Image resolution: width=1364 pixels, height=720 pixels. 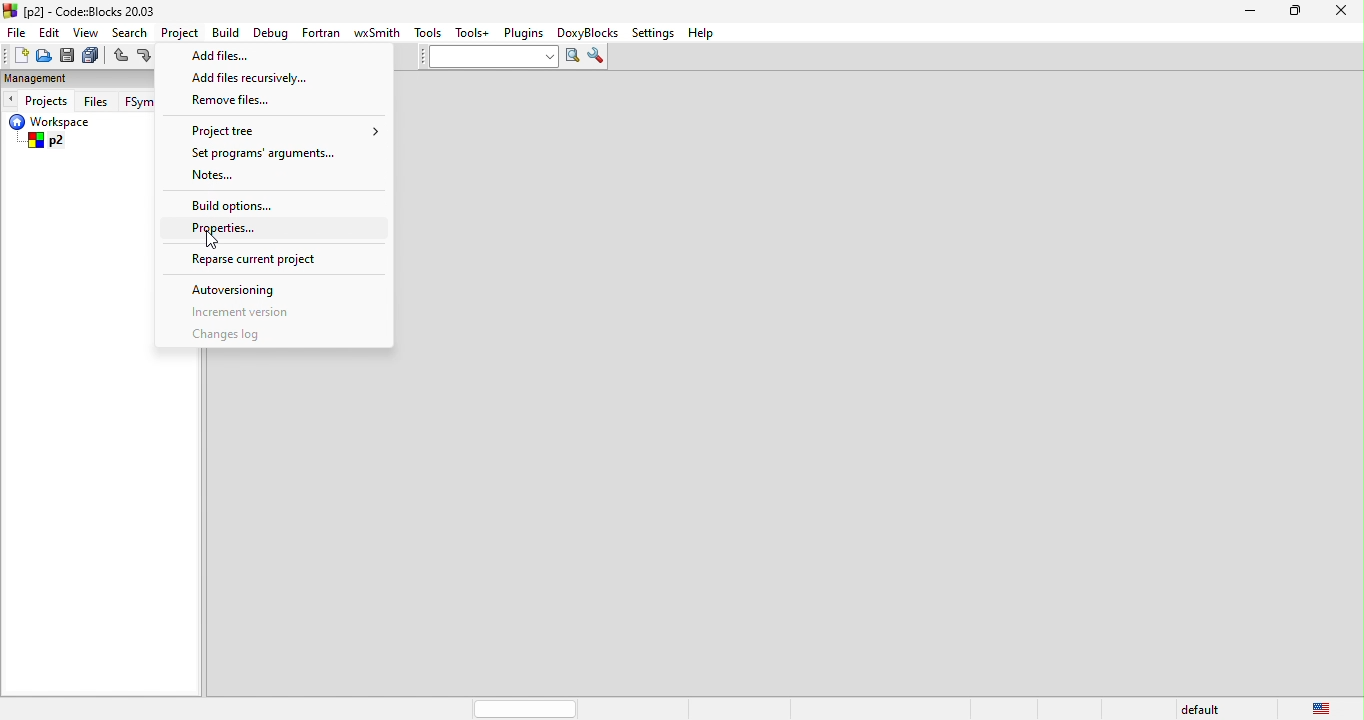 I want to click on horizontal scroll bar, so click(x=528, y=708).